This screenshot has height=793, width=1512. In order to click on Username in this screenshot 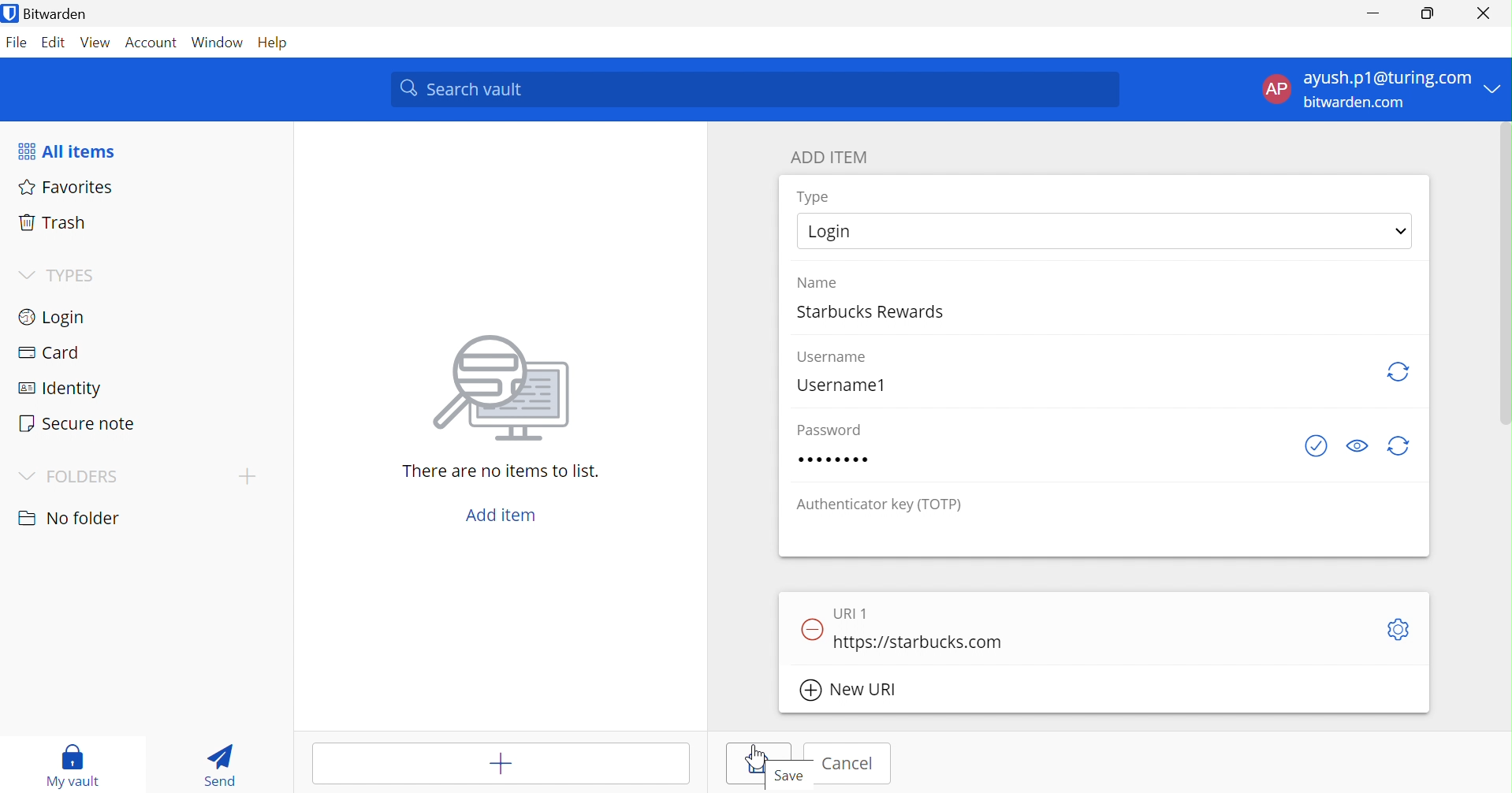, I will do `click(836, 357)`.